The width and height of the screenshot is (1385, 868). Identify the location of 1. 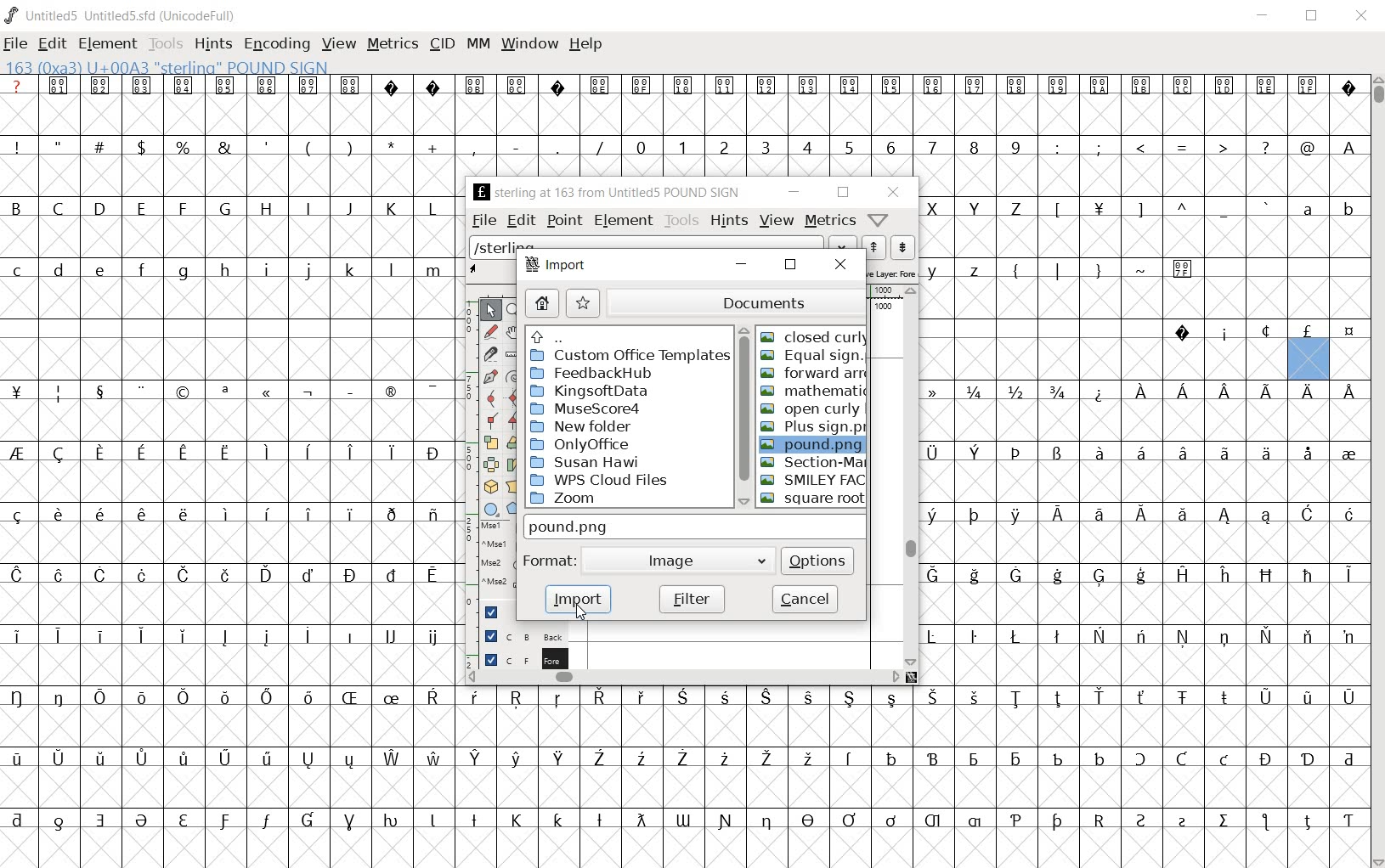
(681, 146).